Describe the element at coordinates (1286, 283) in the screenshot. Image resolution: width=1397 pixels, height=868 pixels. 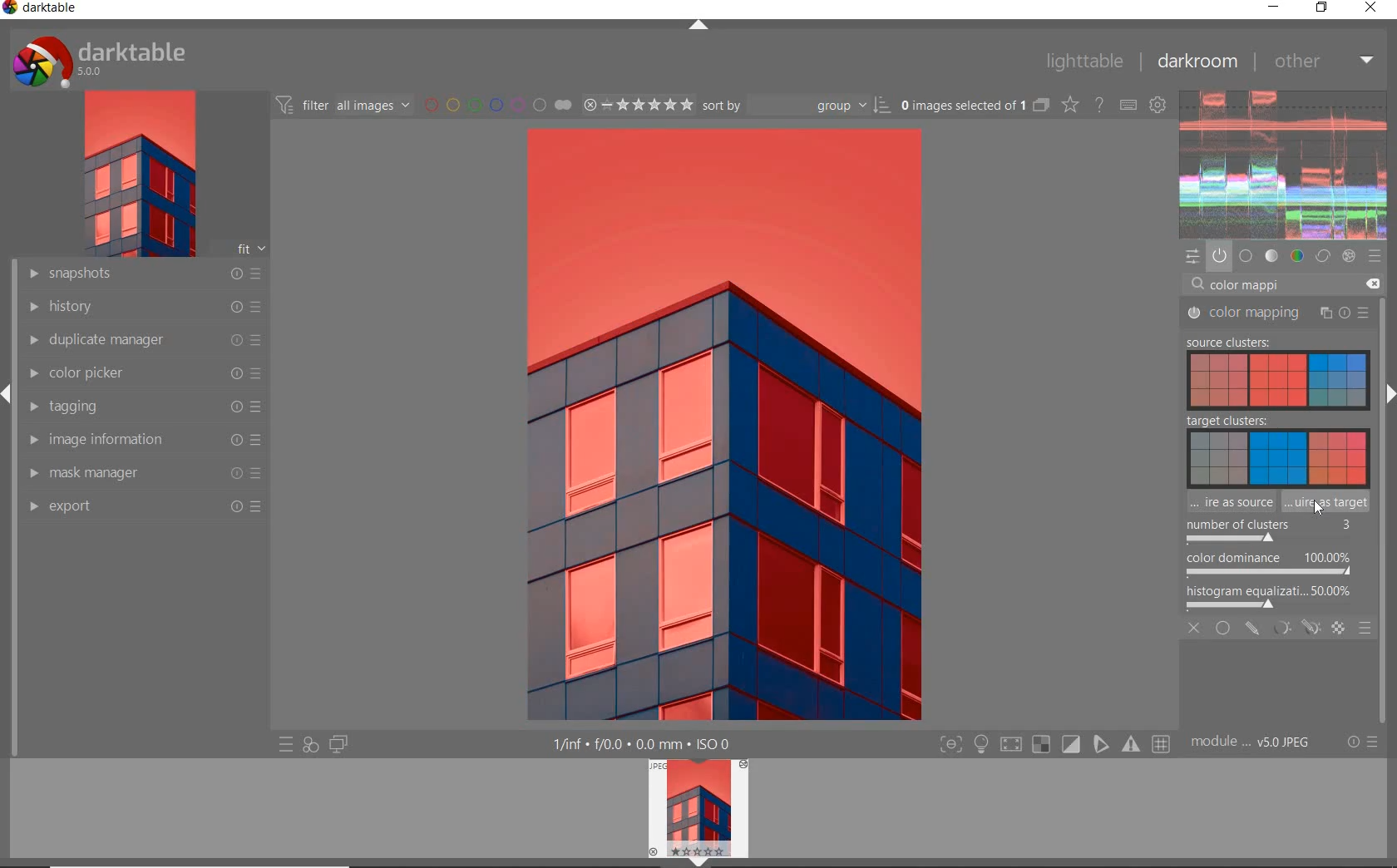
I see `search module` at that location.